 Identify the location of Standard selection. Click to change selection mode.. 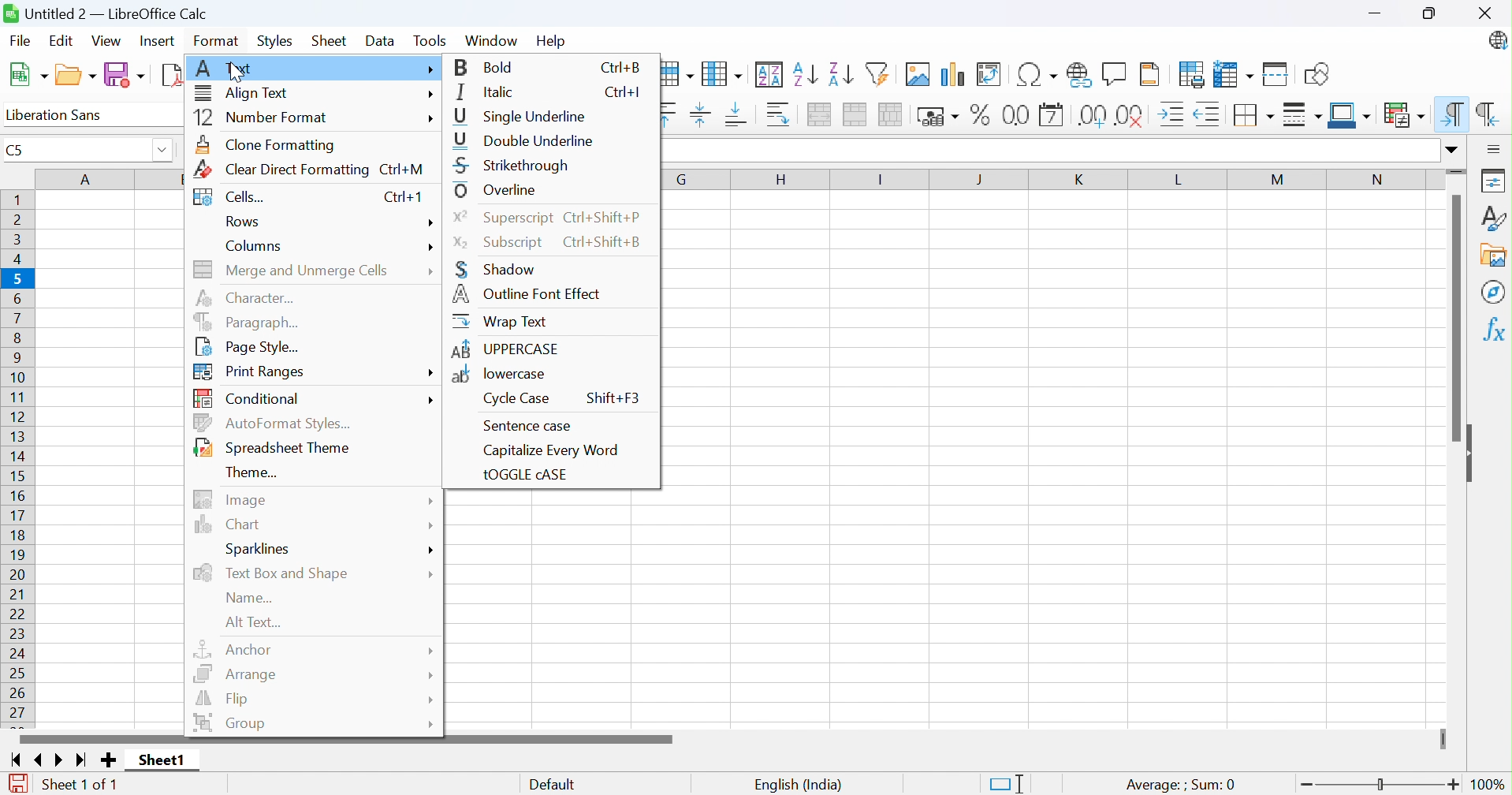
(1007, 783).